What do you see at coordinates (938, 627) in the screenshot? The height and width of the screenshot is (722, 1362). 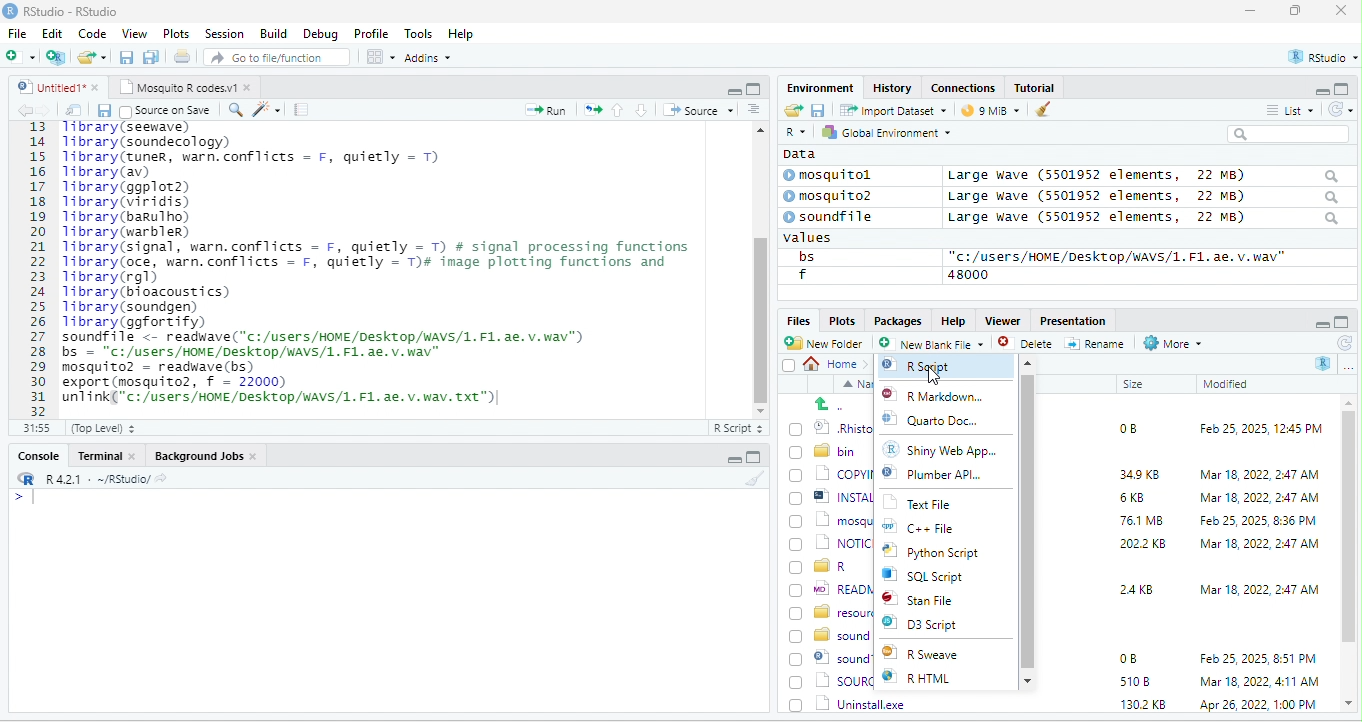 I see `D3 Script` at bounding box center [938, 627].